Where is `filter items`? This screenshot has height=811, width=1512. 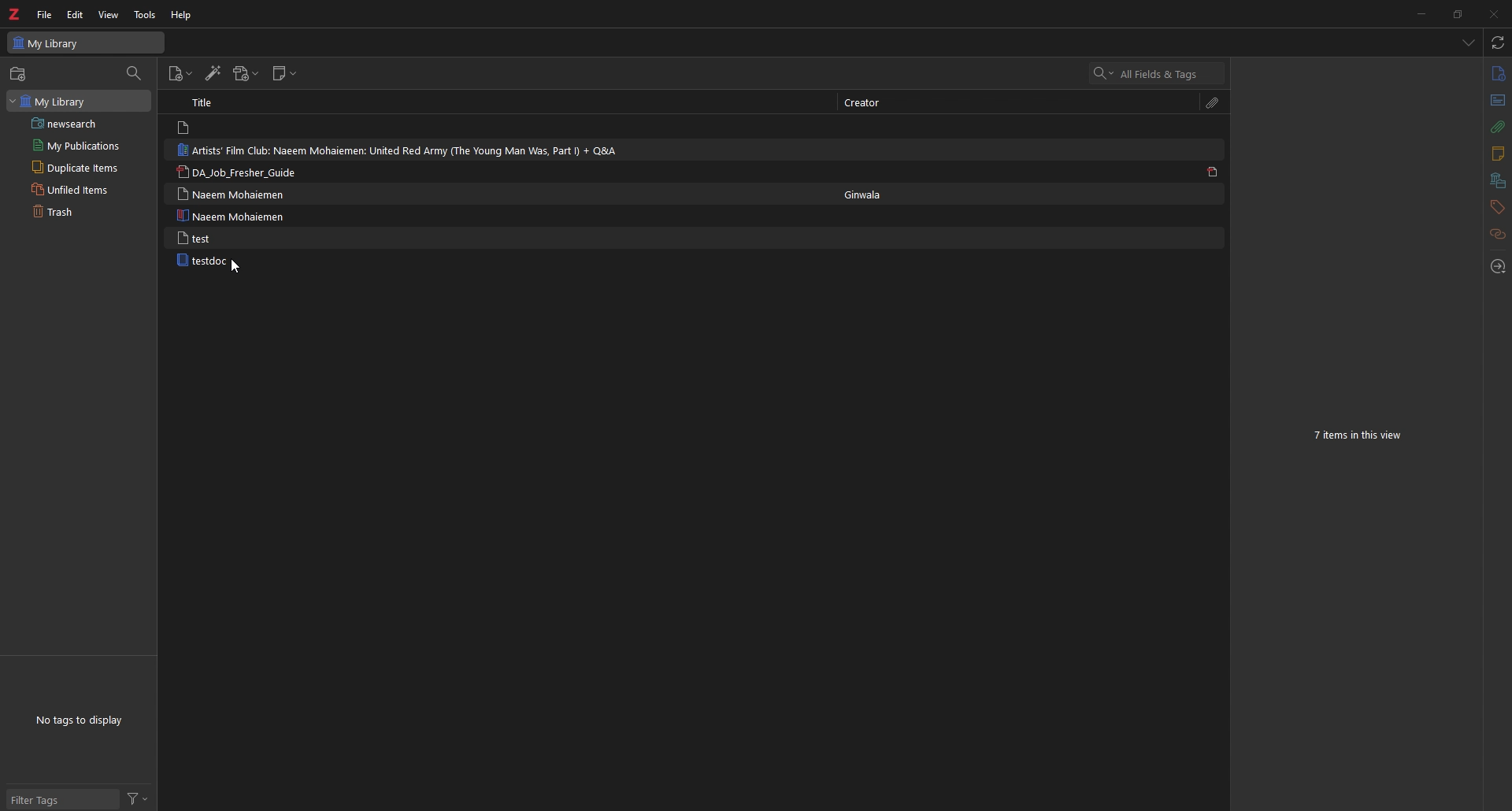
filter items is located at coordinates (135, 72).